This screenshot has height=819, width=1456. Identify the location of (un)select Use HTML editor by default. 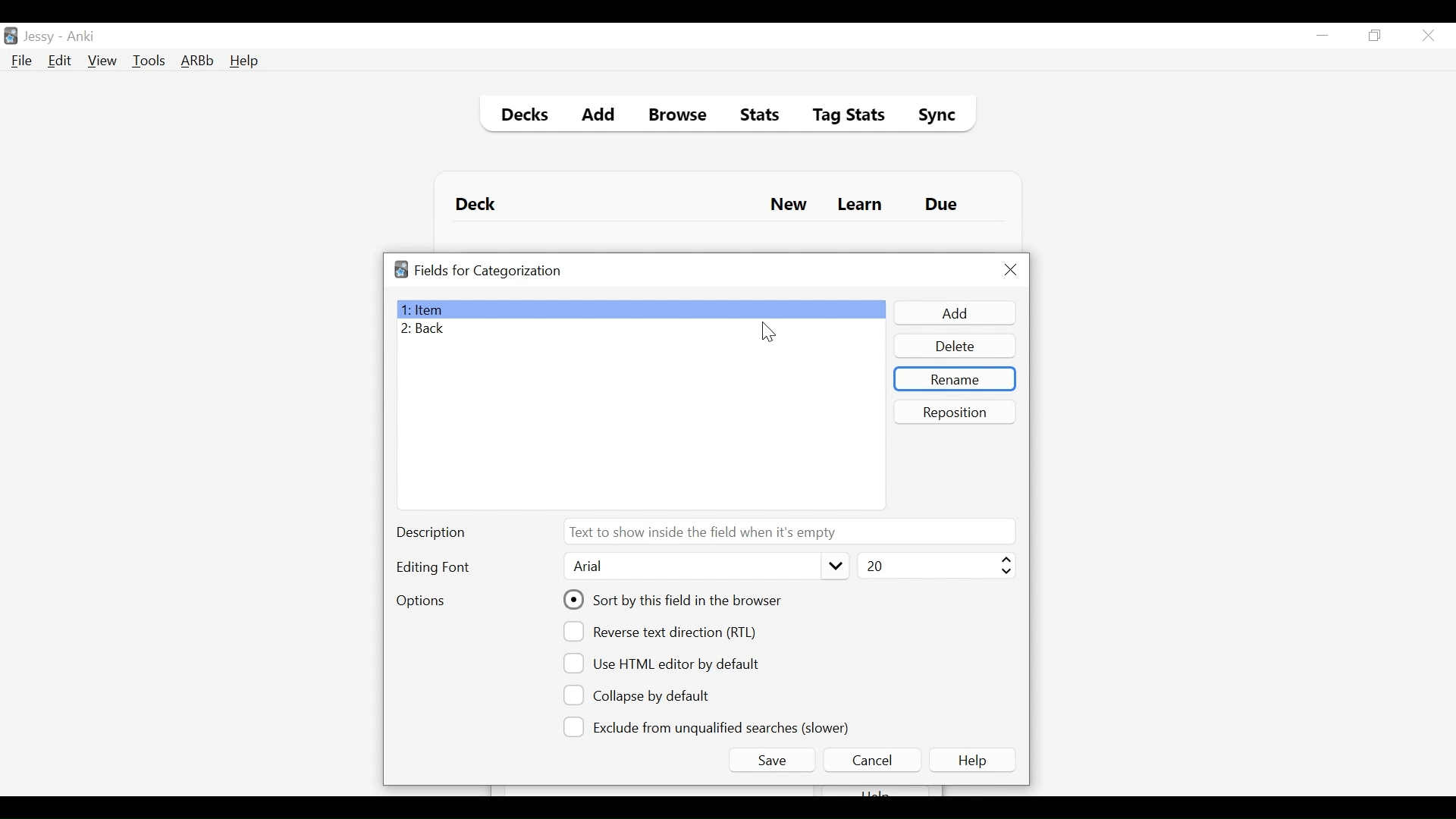
(666, 663).